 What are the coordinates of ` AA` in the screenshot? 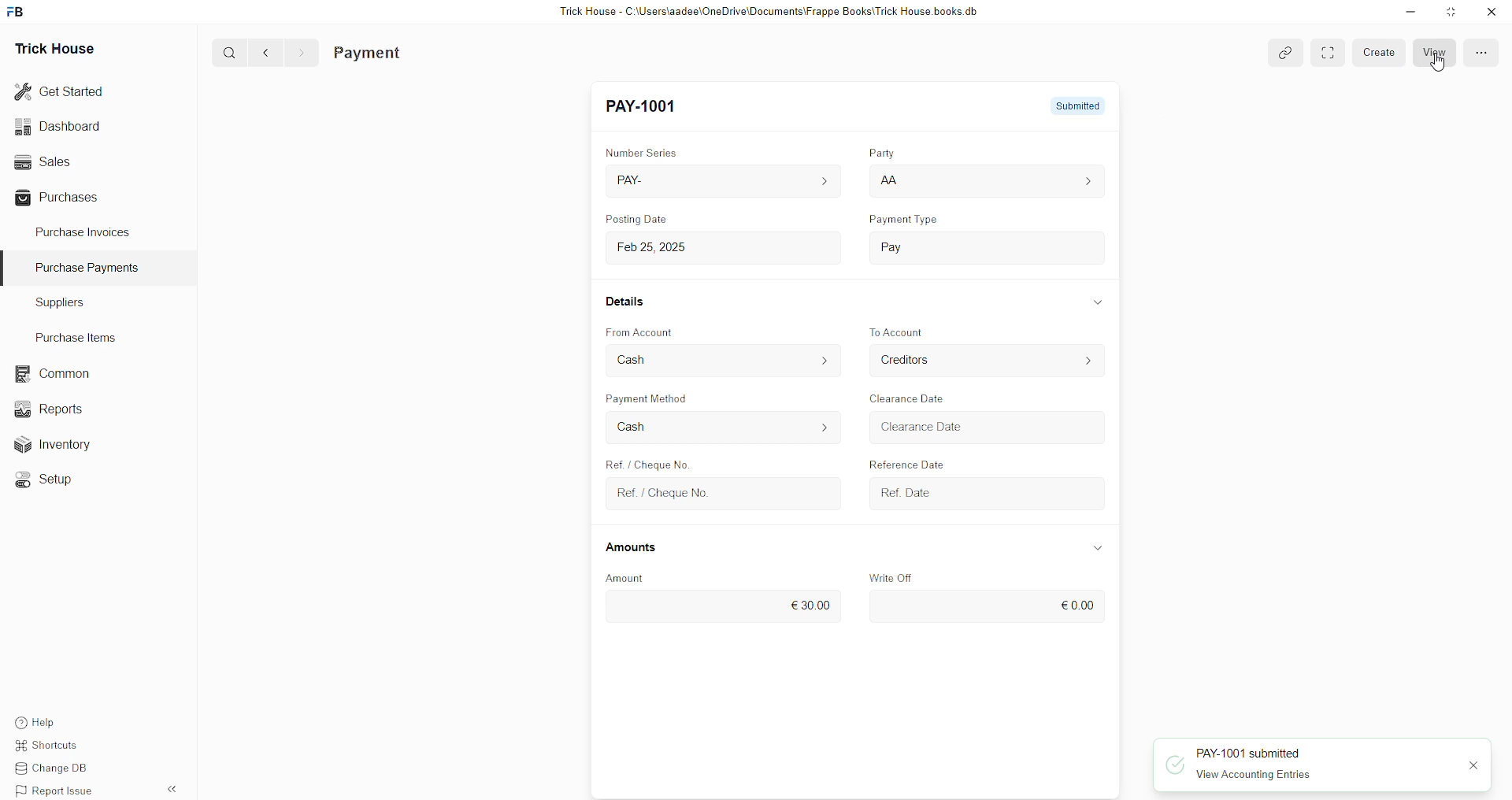 It's located at (890, 182).